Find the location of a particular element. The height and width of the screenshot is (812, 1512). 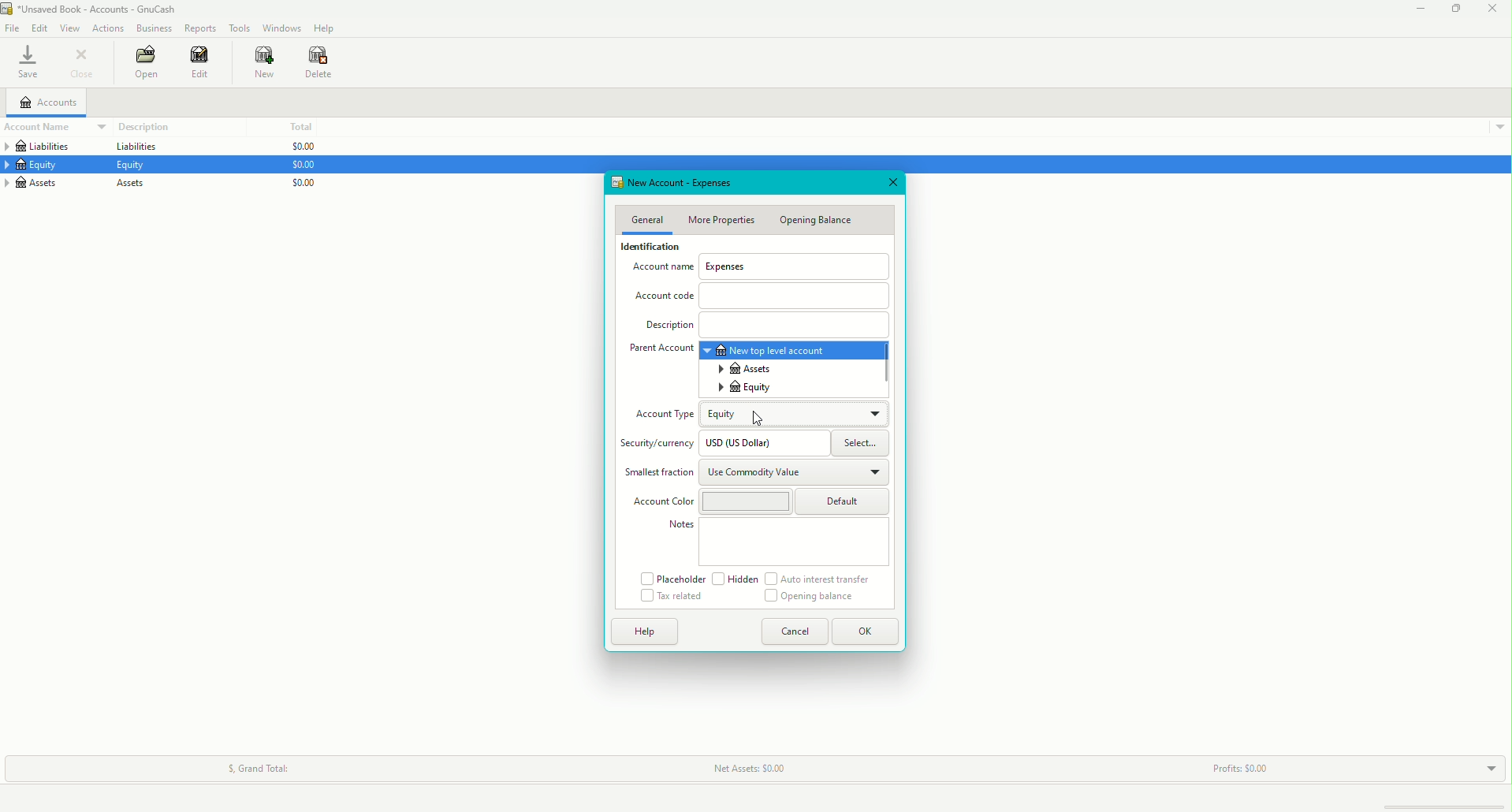

Account Name is located at coordinates (47, 127).